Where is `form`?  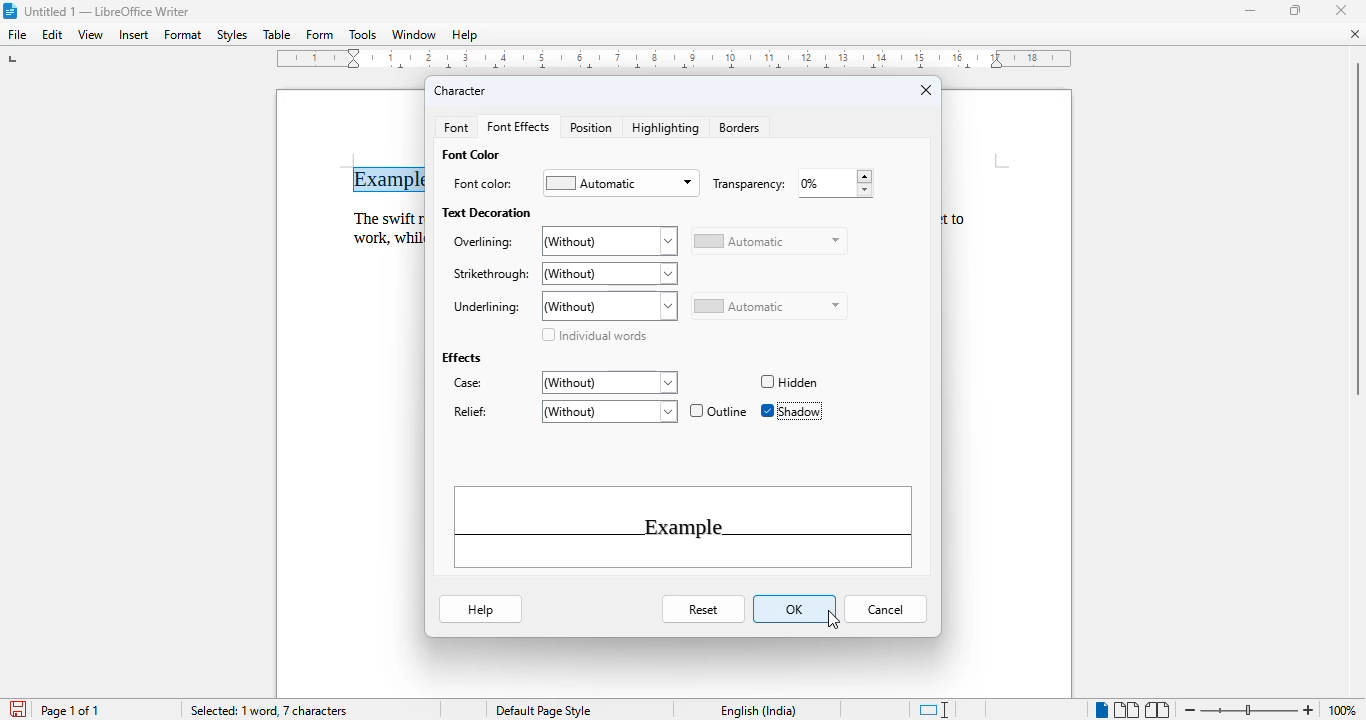
form is located at coordinates (320, 35).